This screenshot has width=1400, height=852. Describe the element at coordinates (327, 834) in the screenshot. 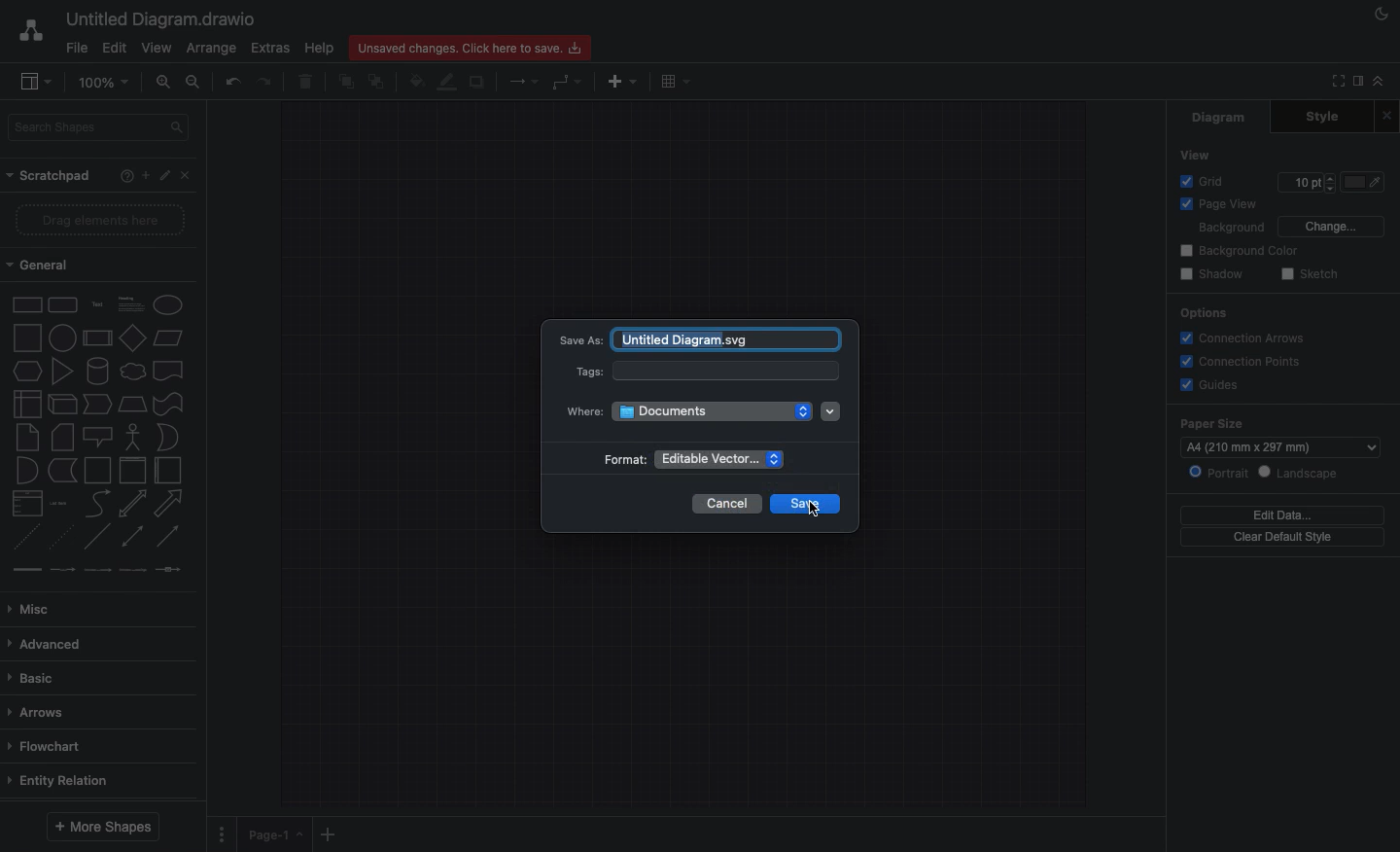

I see `Add` at that location.